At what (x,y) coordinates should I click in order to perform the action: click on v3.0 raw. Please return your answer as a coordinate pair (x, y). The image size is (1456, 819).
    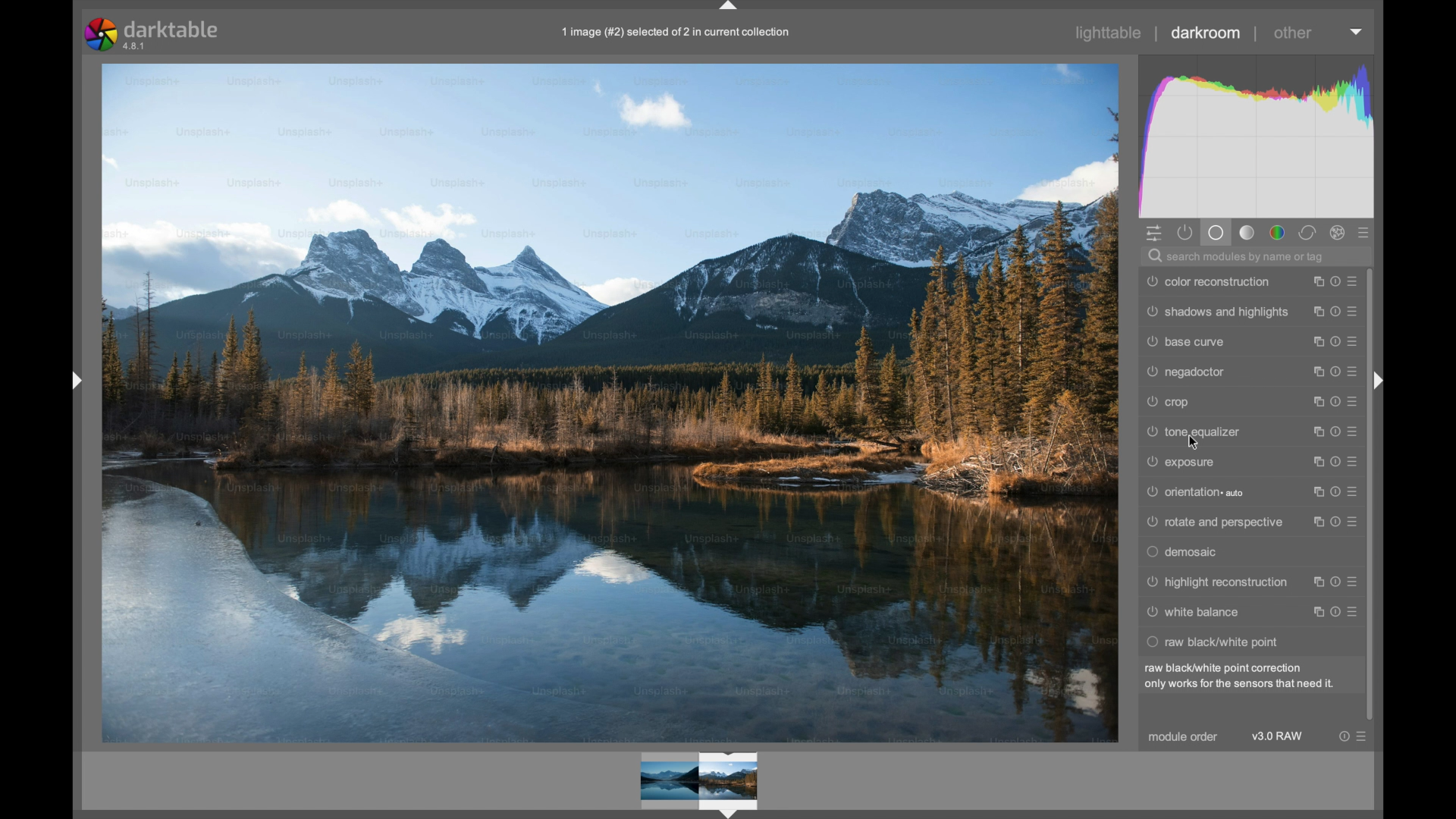
    Looking at the image, I should click on (1277, 736).